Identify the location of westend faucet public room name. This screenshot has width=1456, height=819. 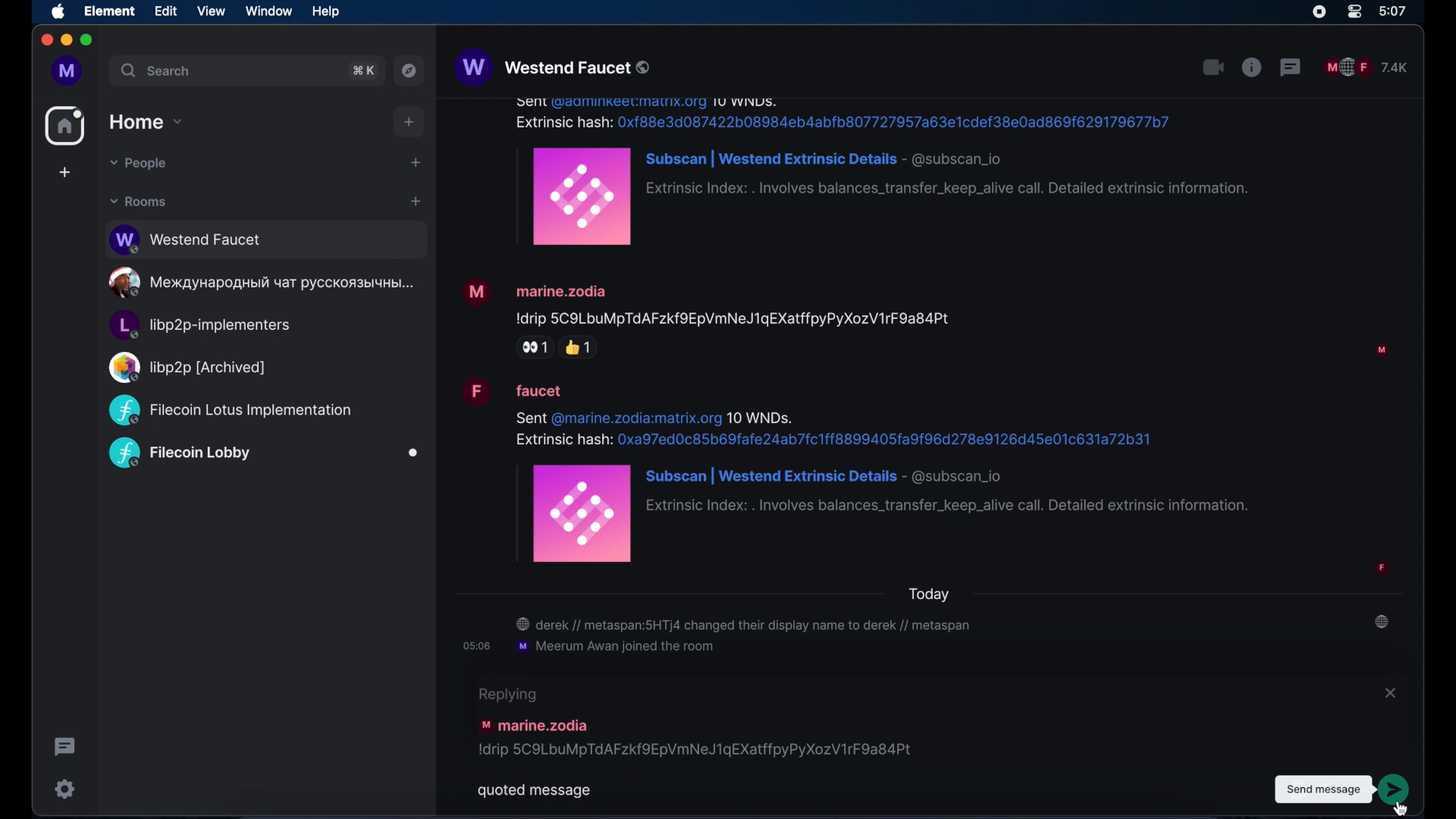
(553, 69).